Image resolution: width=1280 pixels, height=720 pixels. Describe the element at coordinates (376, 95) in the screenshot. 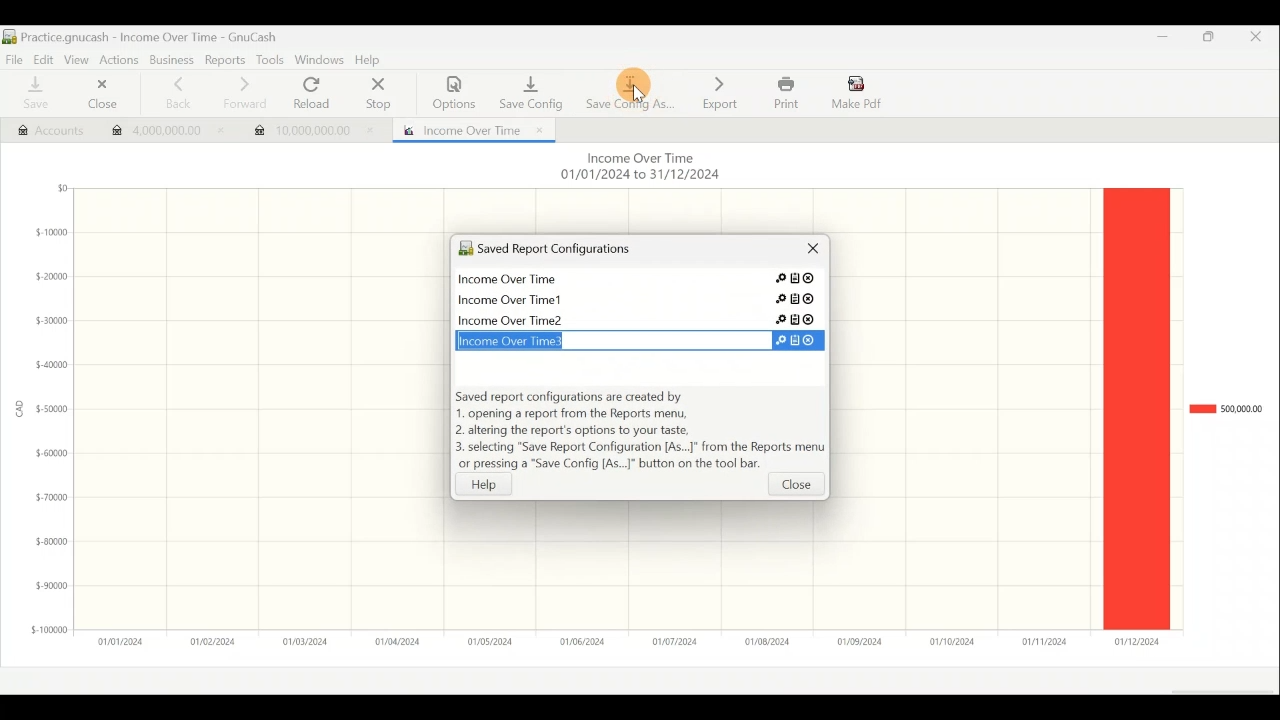

I see `Stop` at that location.